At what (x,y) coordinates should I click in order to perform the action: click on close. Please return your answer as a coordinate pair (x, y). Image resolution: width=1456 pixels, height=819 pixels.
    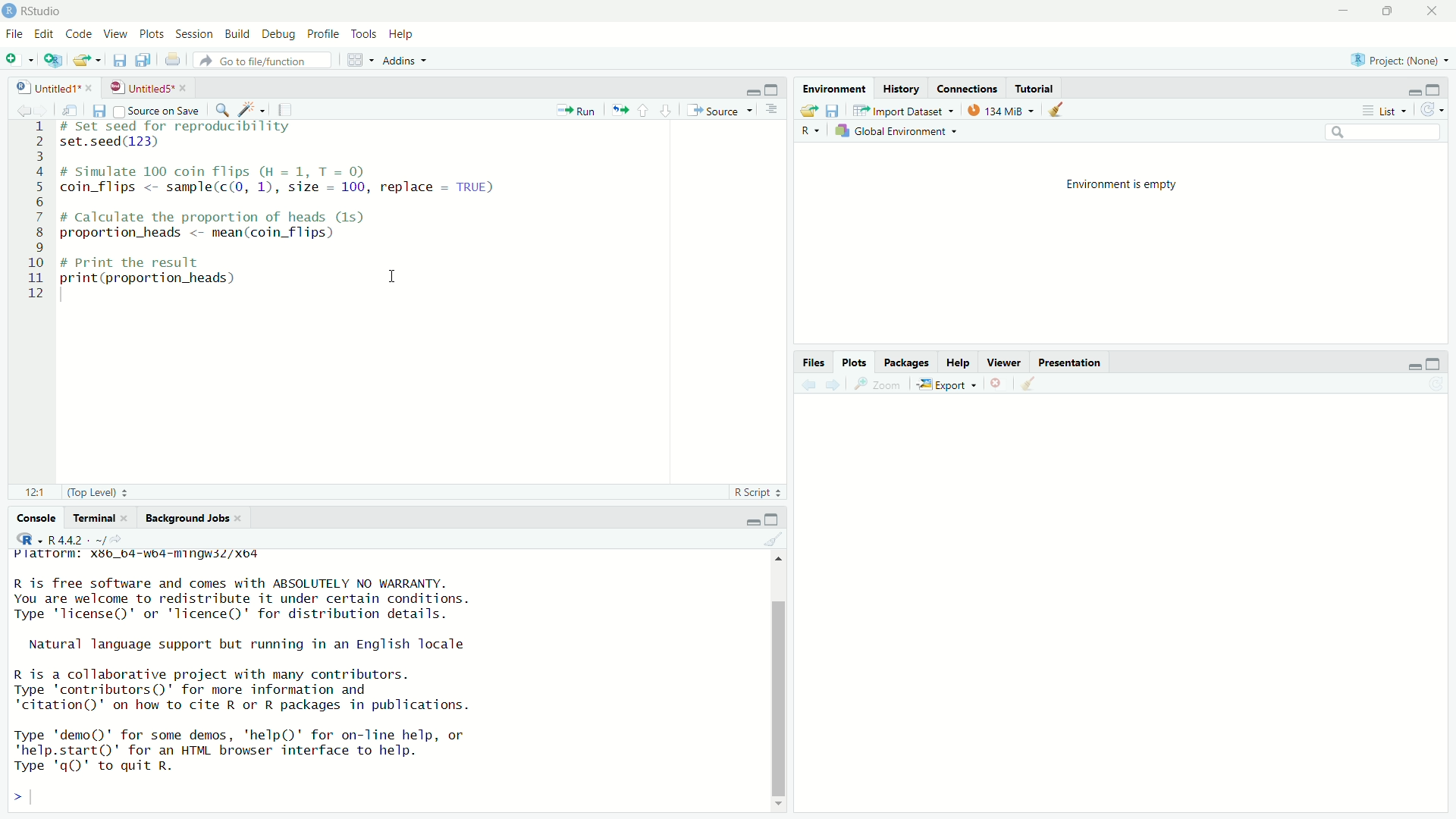
    Looking at the image, I should click on (128, 517).